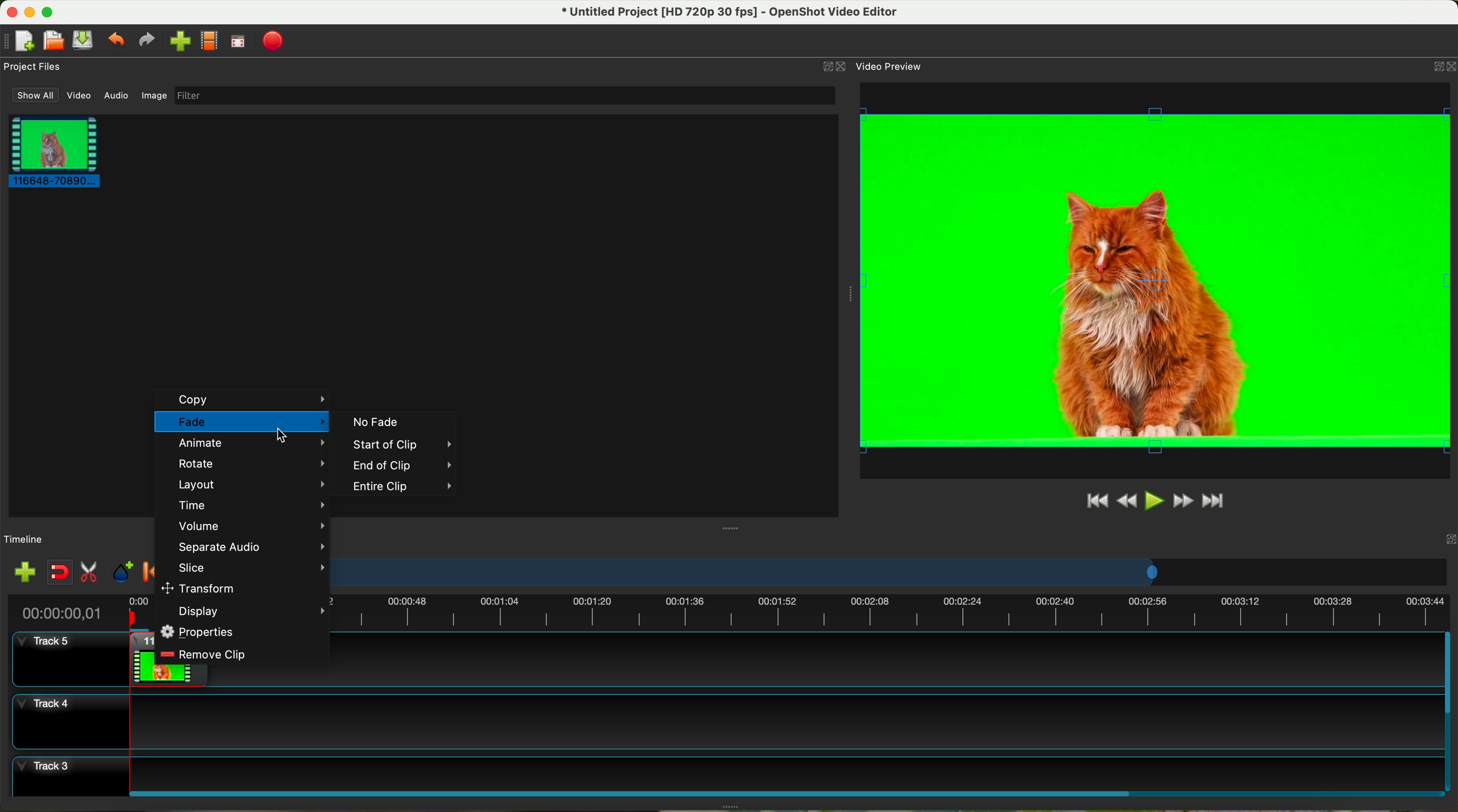 This screenshot has height=812, width=1458. I want to click on image, so click(154, 97).